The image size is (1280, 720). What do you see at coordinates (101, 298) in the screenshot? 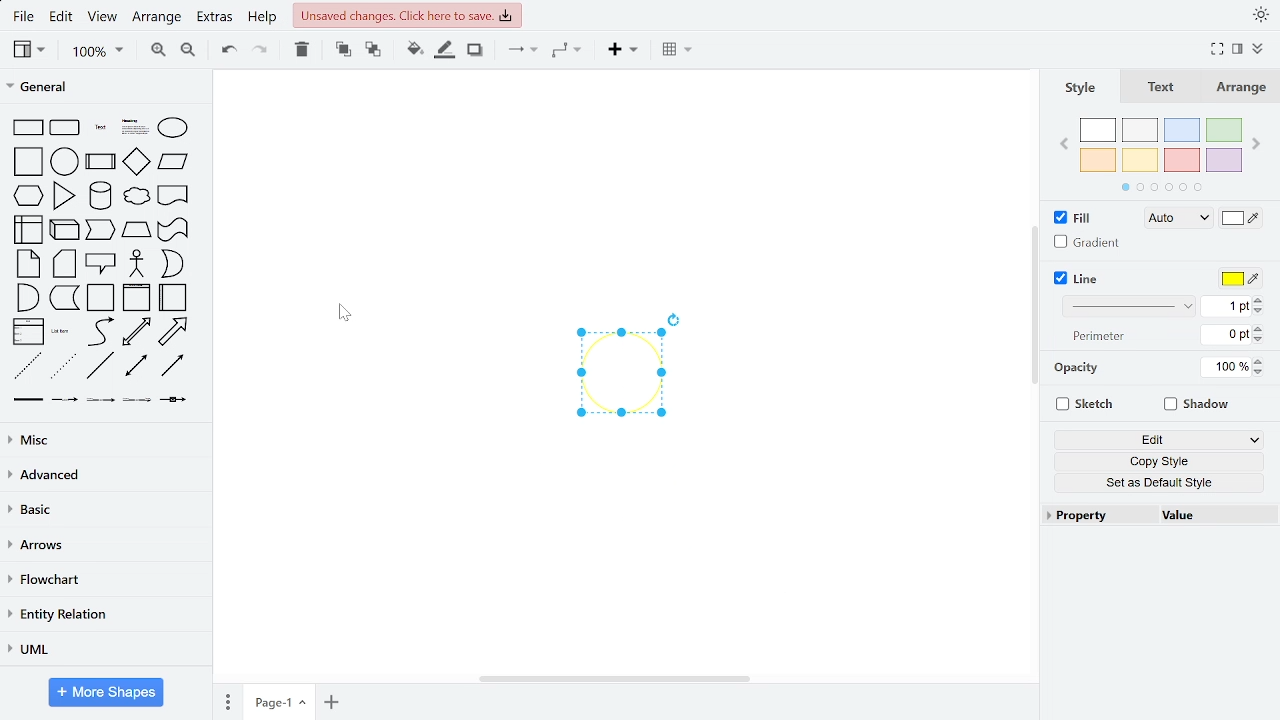
I see `container` at bounding box center [101, 298].